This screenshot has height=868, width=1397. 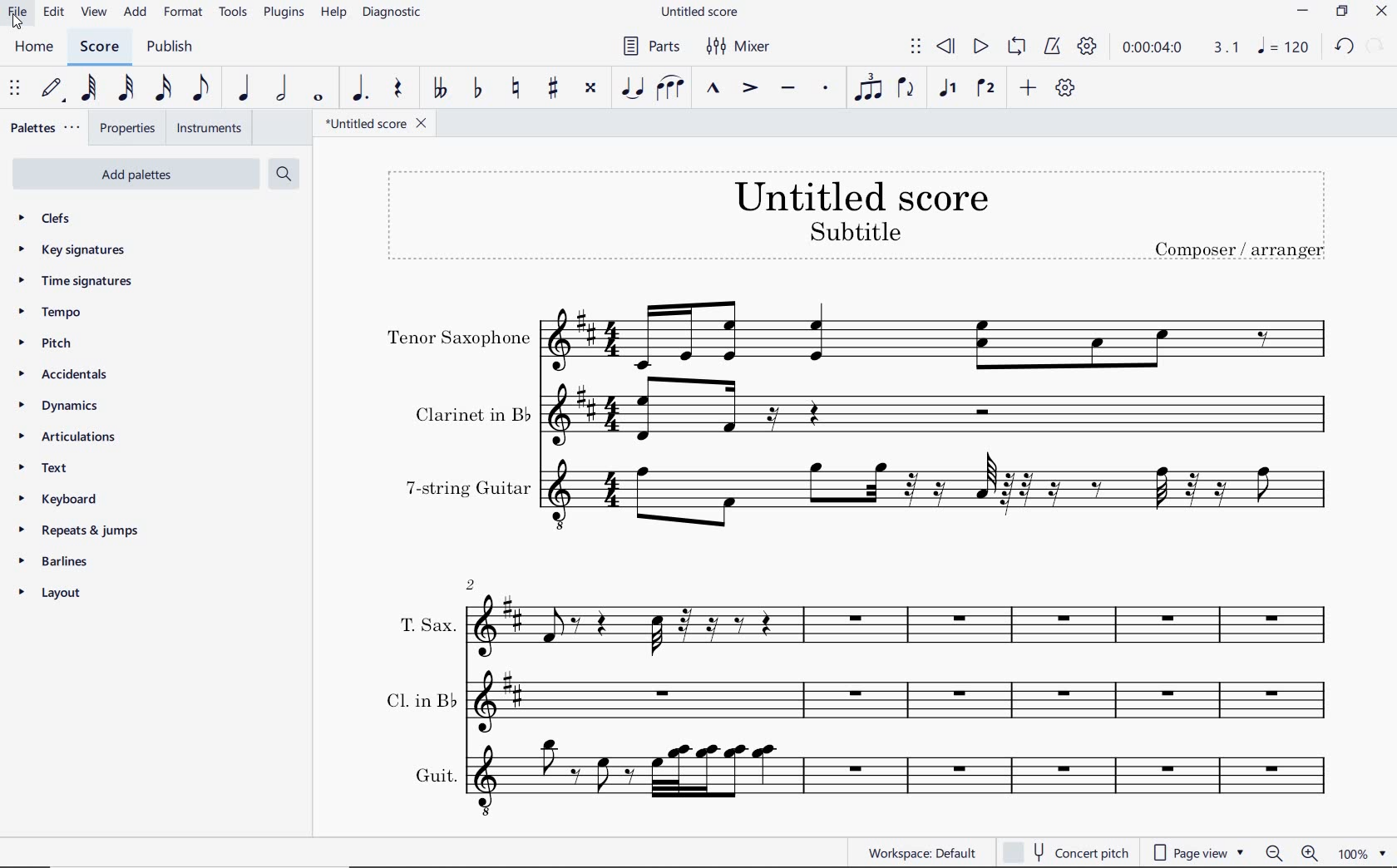 I want to click on TUPLET, so click(x=869, y=87).